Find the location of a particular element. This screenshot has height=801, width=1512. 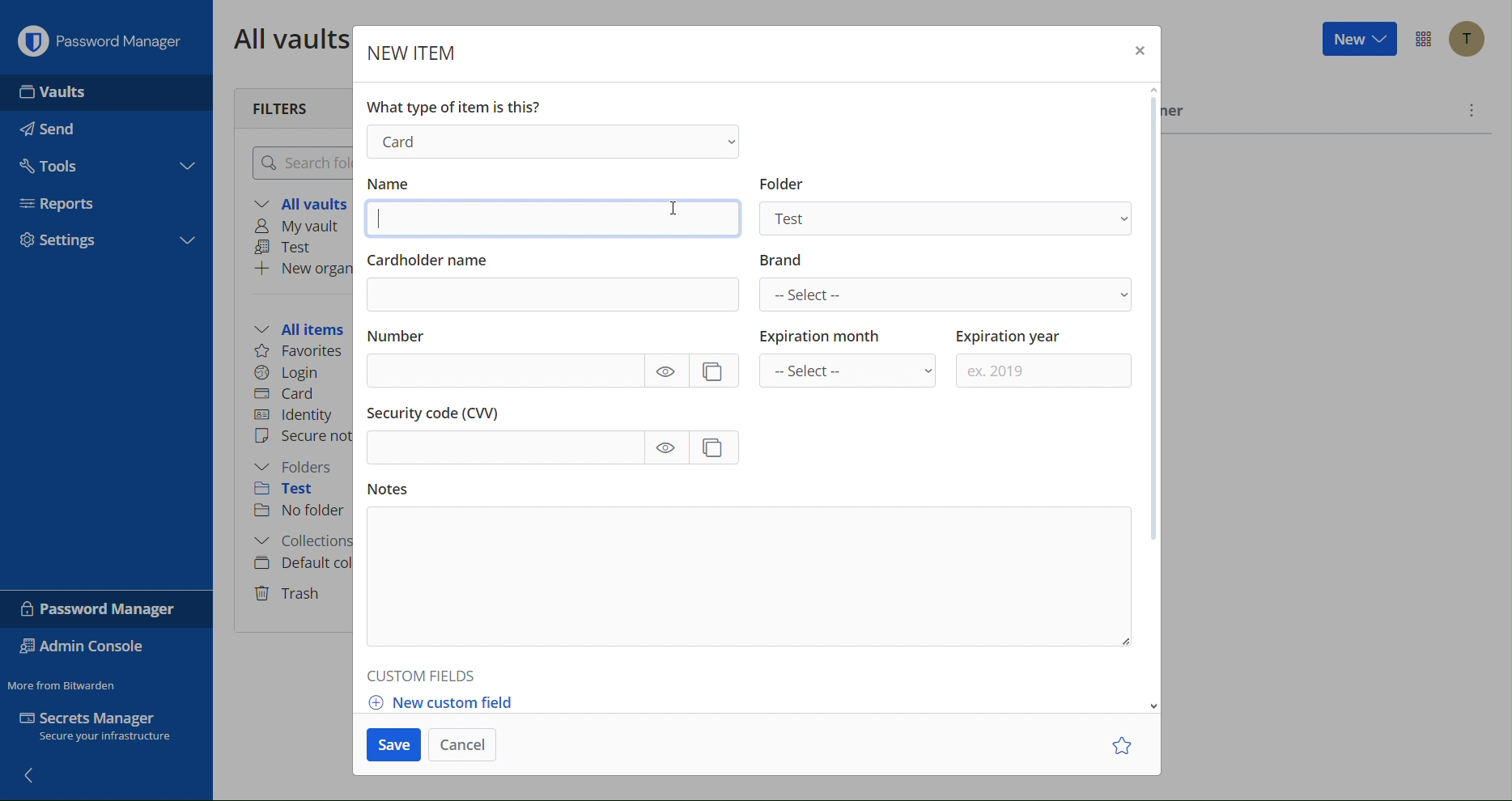

Cursor is located at coordinates (677, 209).